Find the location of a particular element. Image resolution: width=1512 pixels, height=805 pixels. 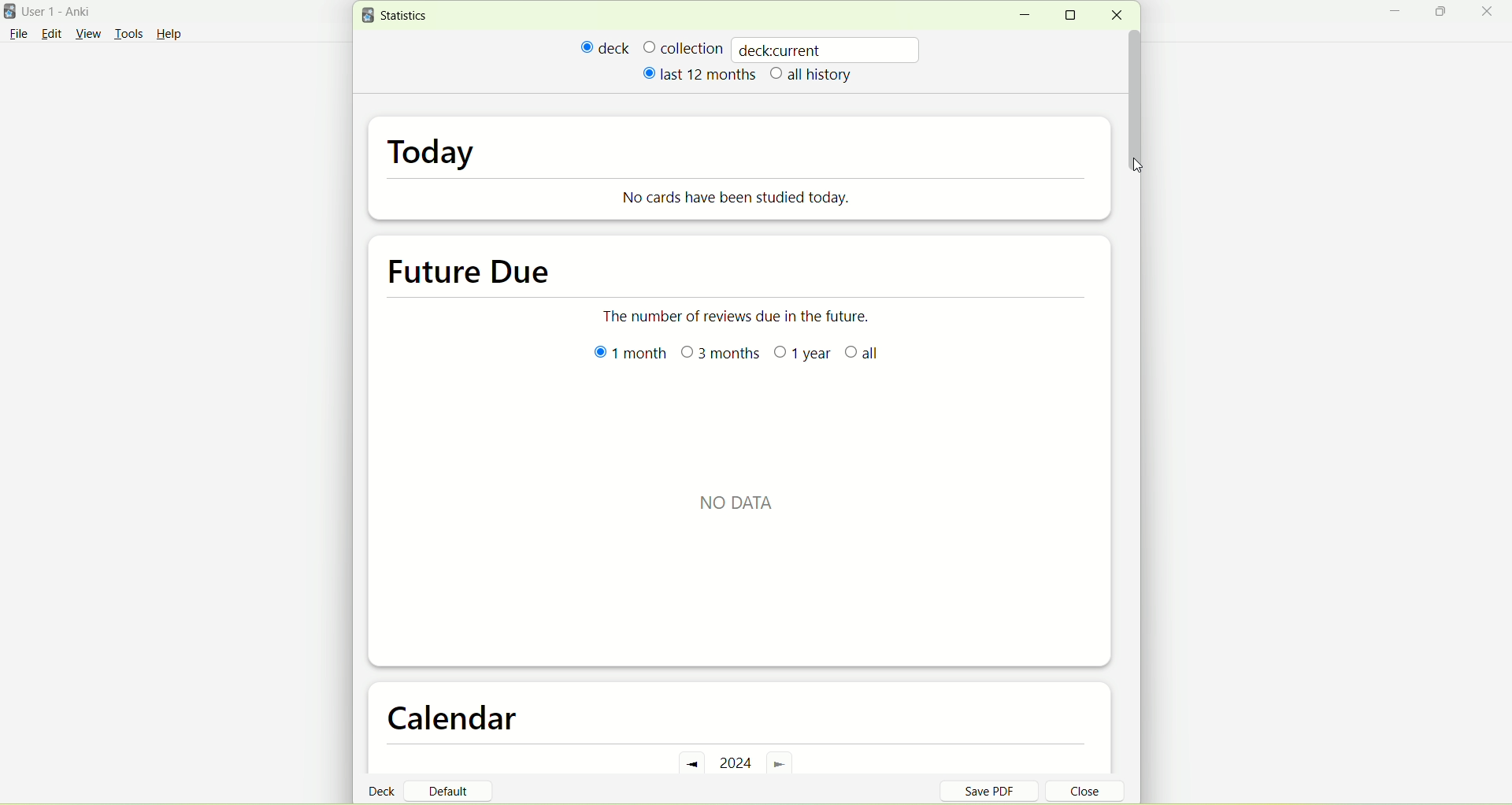

collection is located at coordinates (683, 47).